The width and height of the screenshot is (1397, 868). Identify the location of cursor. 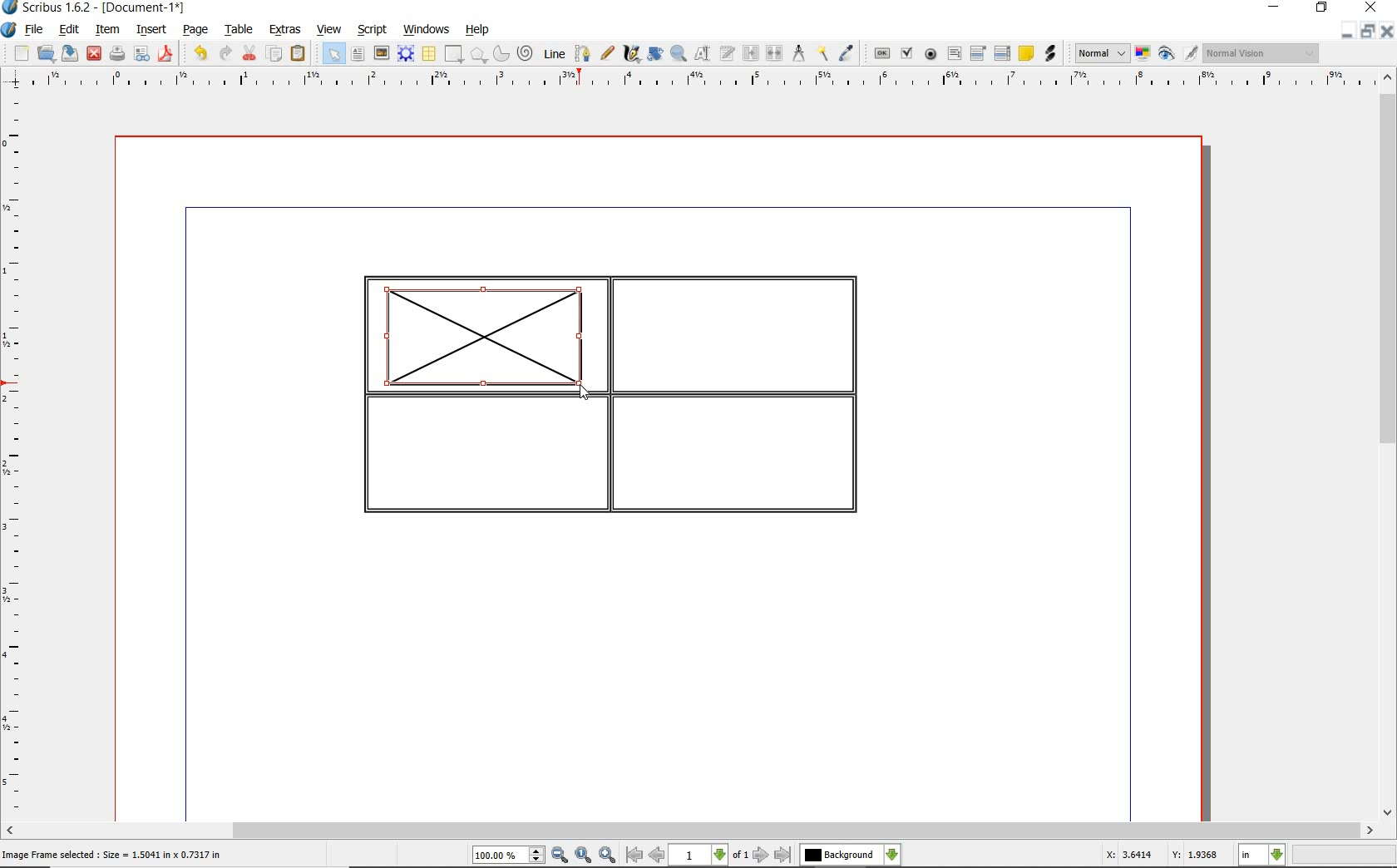
(584, 393).